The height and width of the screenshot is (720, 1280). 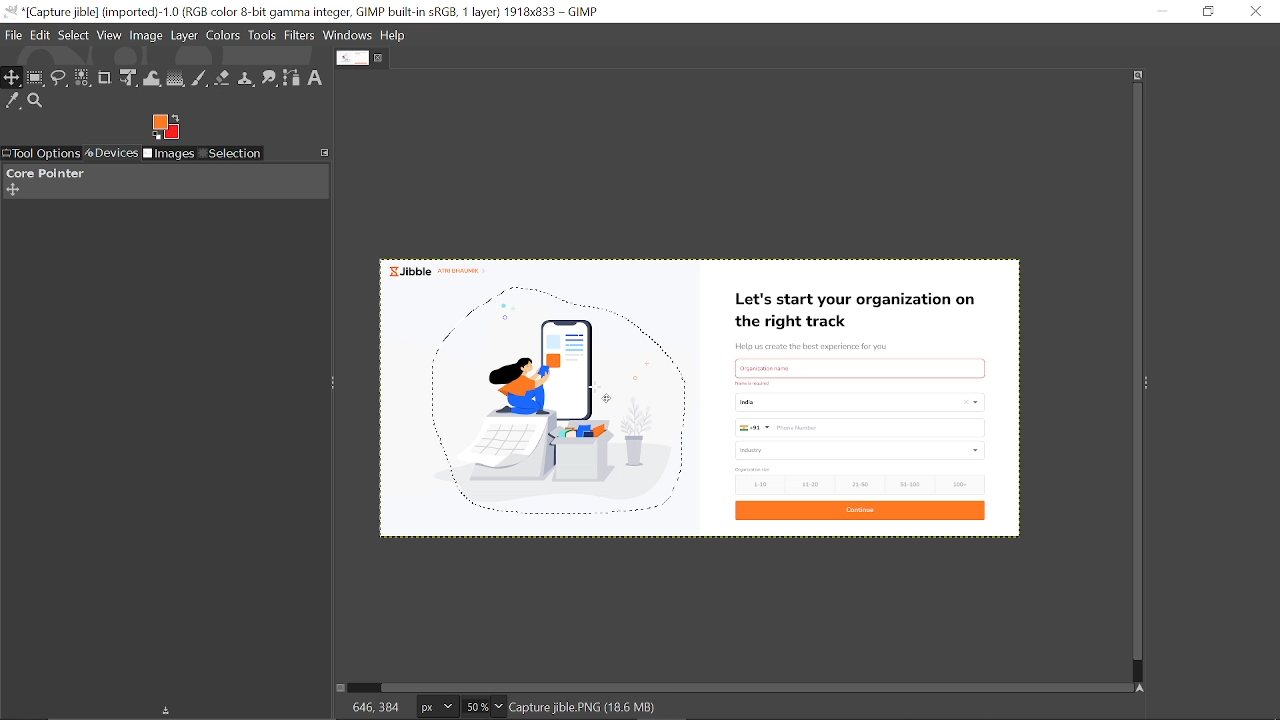 What do you see at coordinates (376, 706) in the screenshot?
I see `646, 384` at bounding box center [376, 706].